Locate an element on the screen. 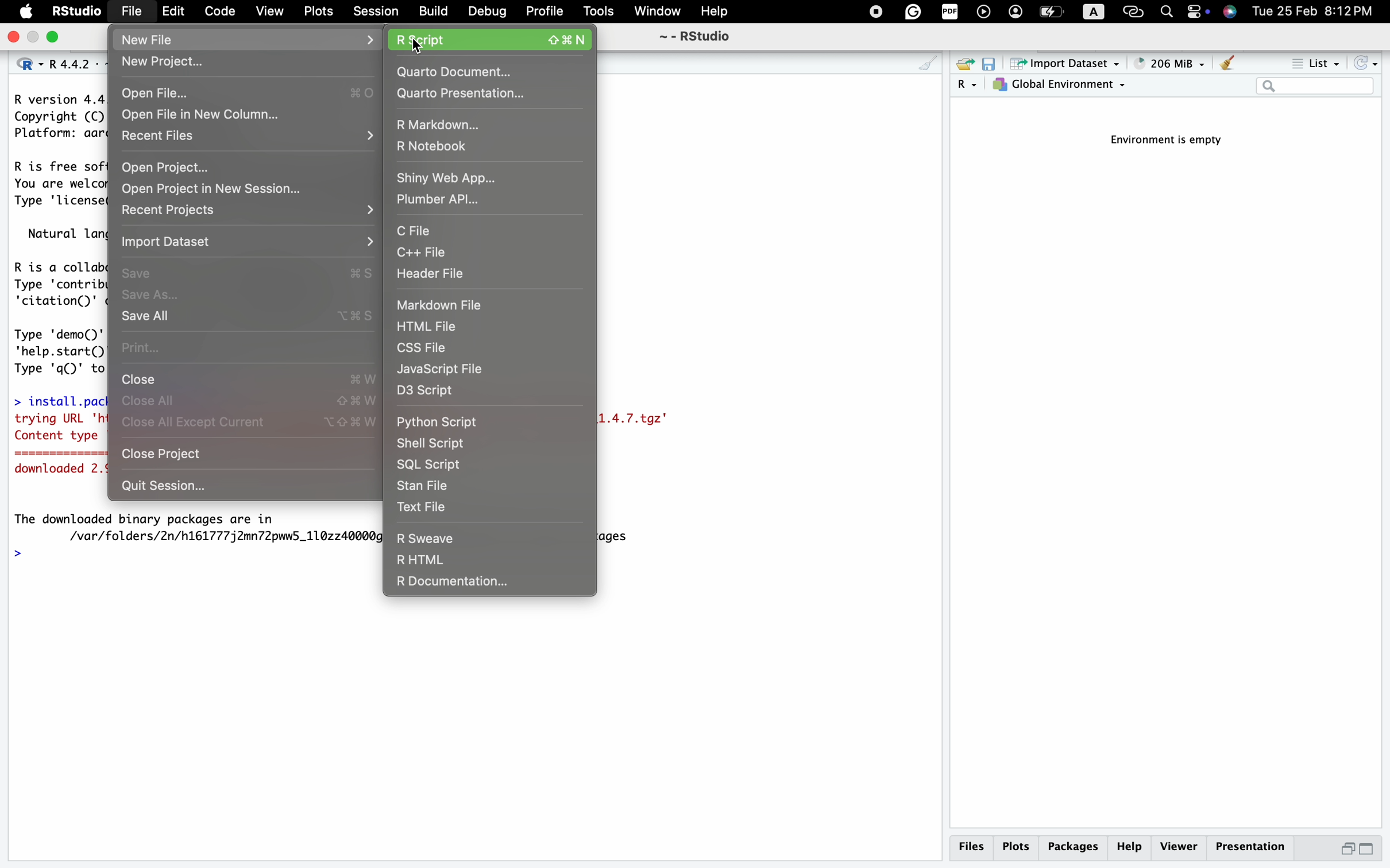 The image size is (1390, 868). Tue 25 Feb 8:12PM is located at coordinates (1320, 13).